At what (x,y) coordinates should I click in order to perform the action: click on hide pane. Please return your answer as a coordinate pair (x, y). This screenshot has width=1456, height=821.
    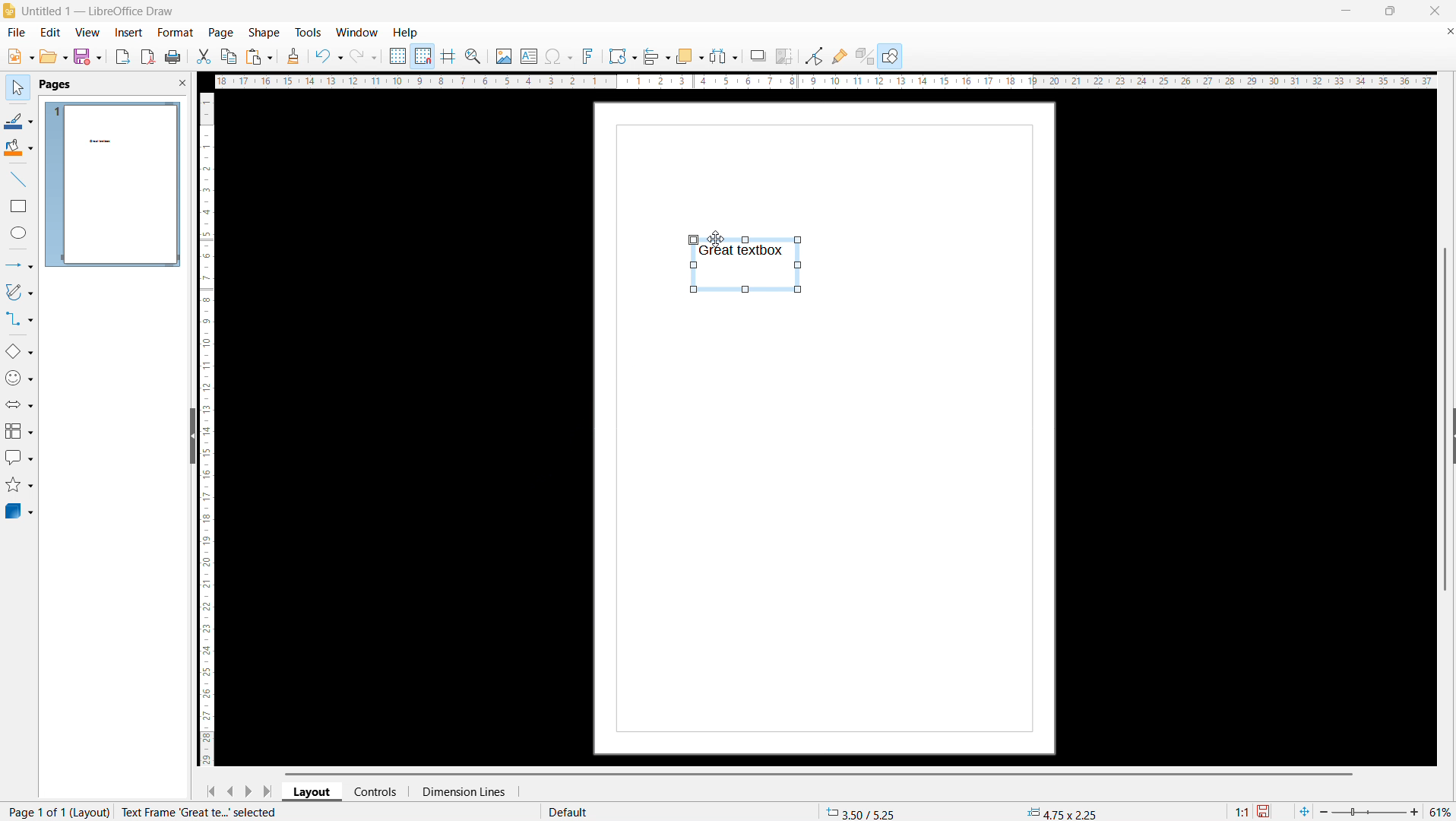
    Looking at the image, I should click on (191, 436).